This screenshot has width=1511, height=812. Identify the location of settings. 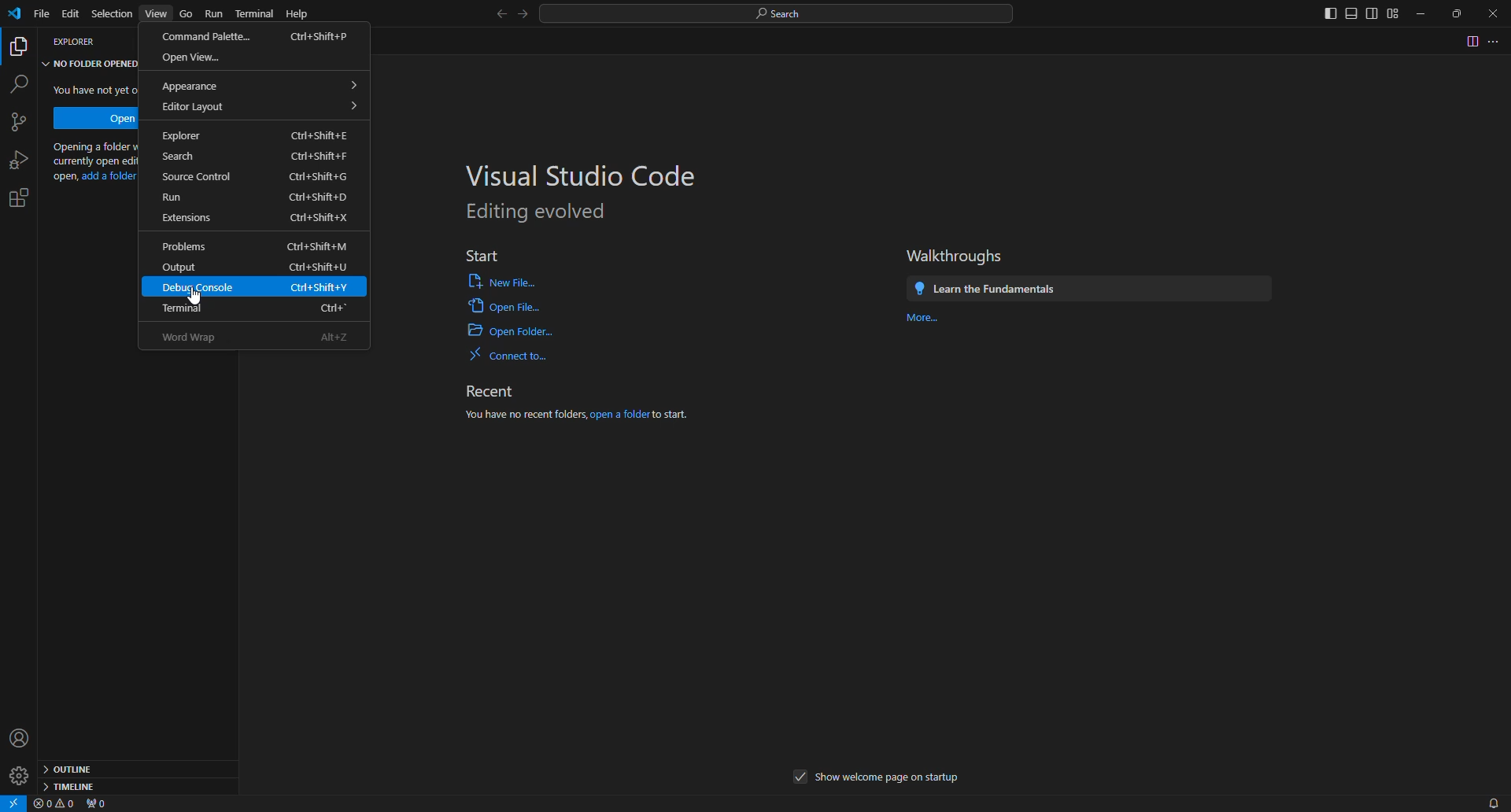
(18, 775).